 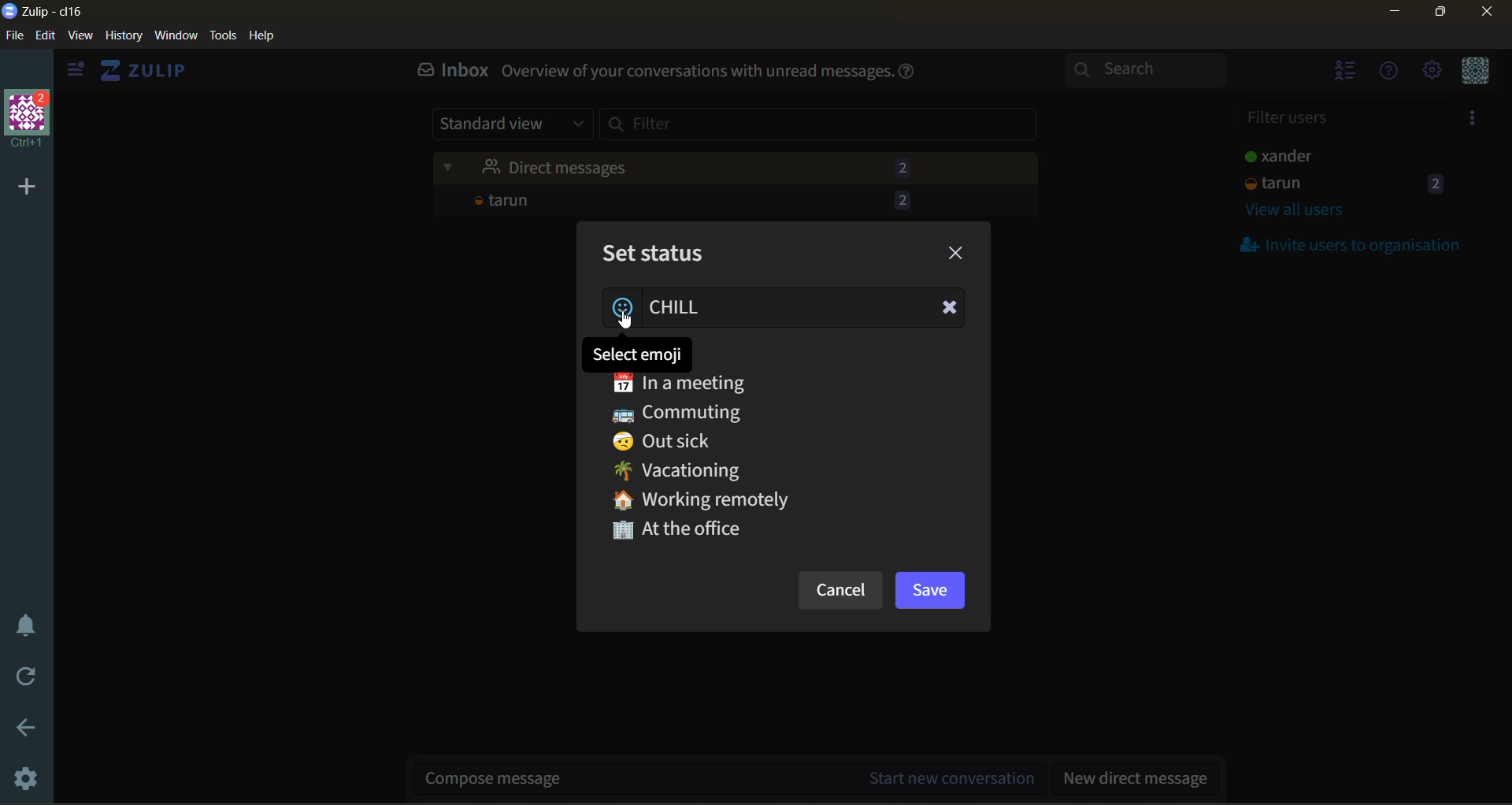 I want to click on Commuting, so click(x=687, y=410).